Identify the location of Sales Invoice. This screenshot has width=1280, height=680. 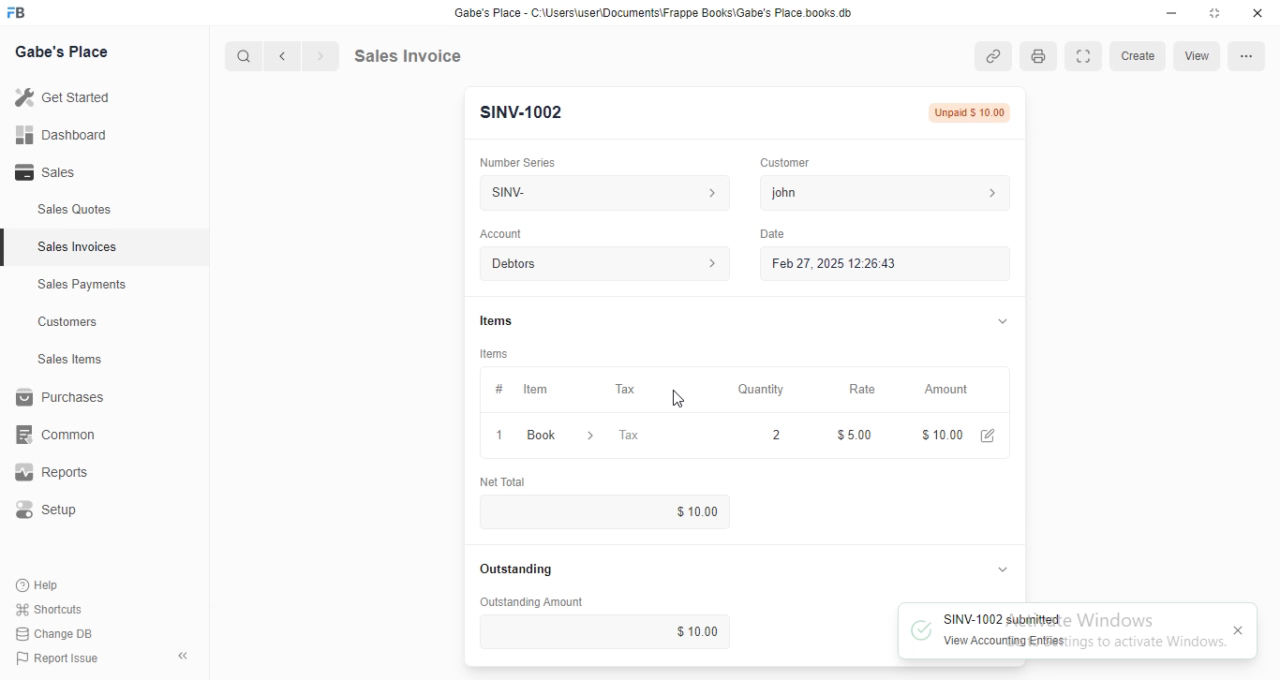
(451, 56).